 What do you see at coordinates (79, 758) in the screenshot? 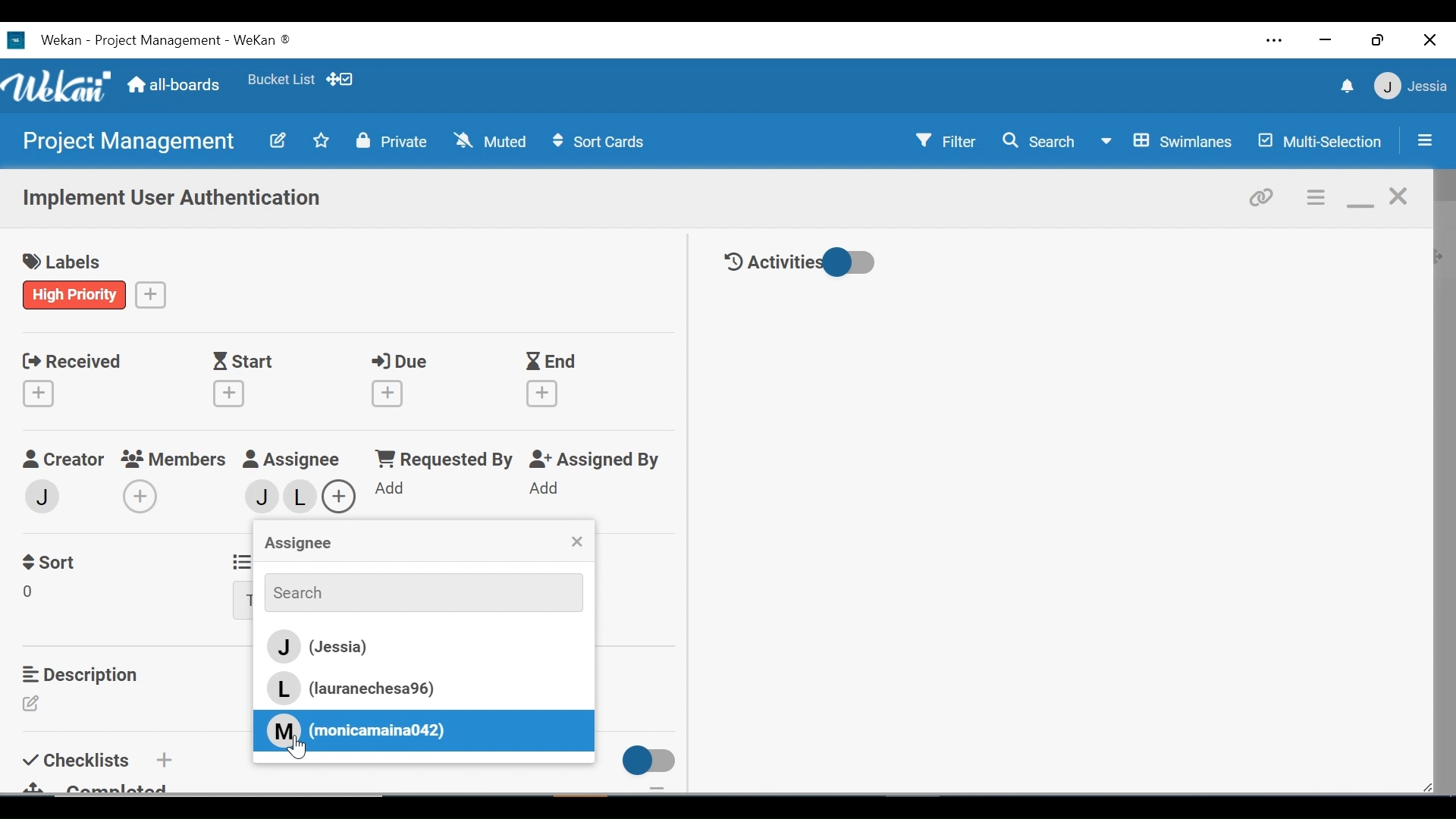
I see `Checklists` at bounding box center [79, 758].